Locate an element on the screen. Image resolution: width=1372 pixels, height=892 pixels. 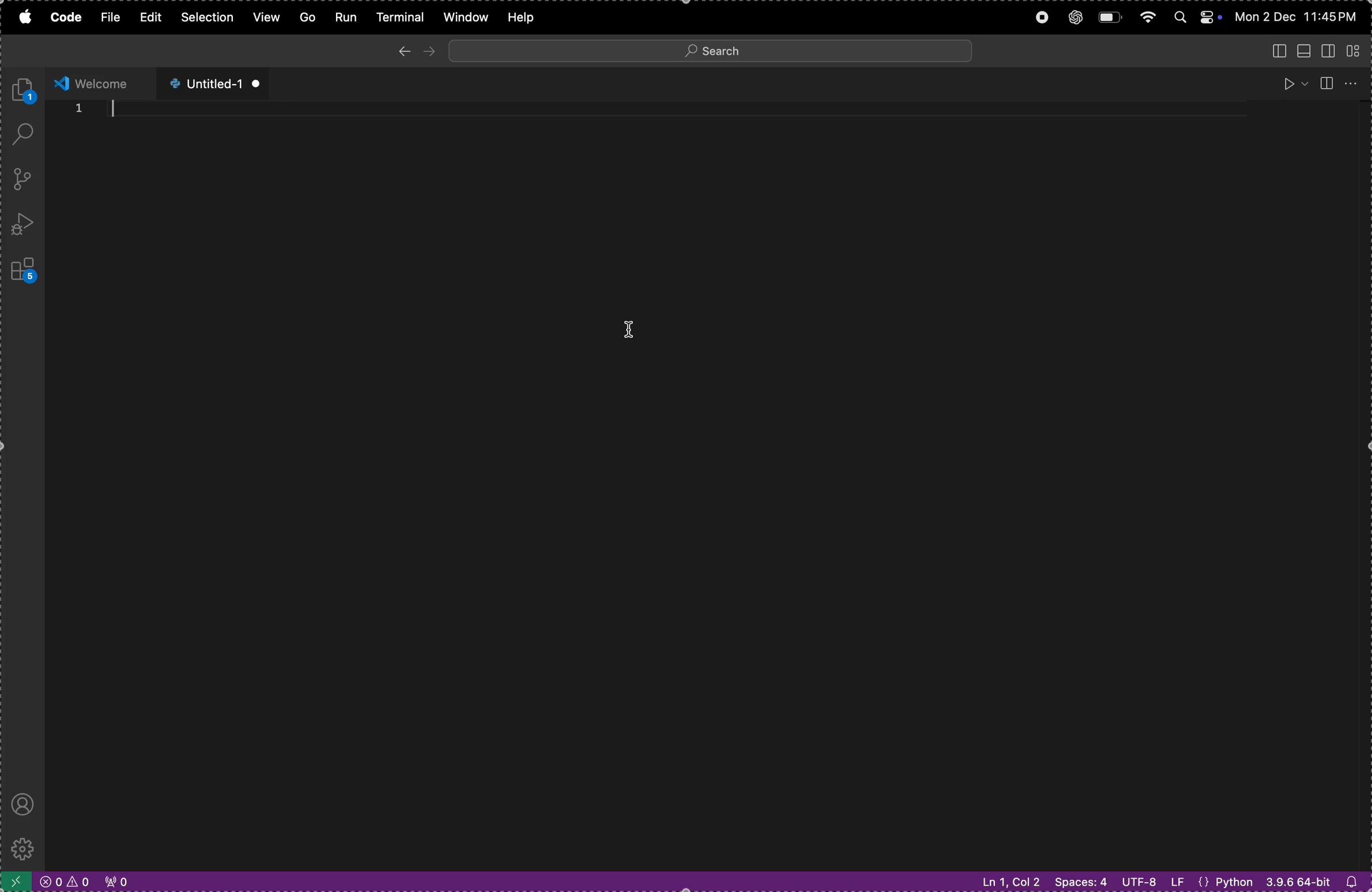
waiting for second key chord is located at coordinates (278, 881).